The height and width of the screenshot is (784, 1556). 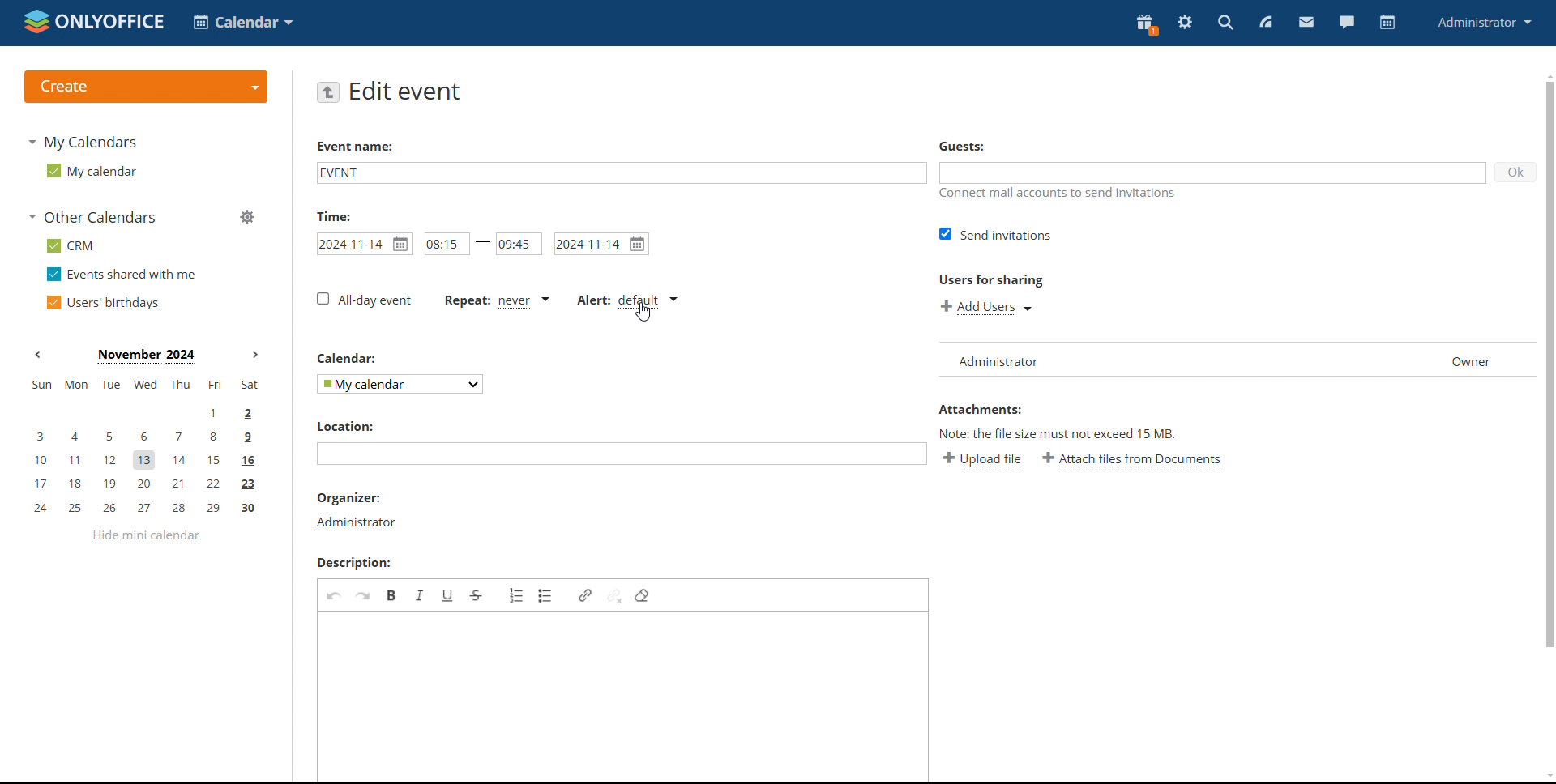 What do you see at coordinates (253, 355) in the screenshot?
I see `next month` at bounding box center [253, 355].